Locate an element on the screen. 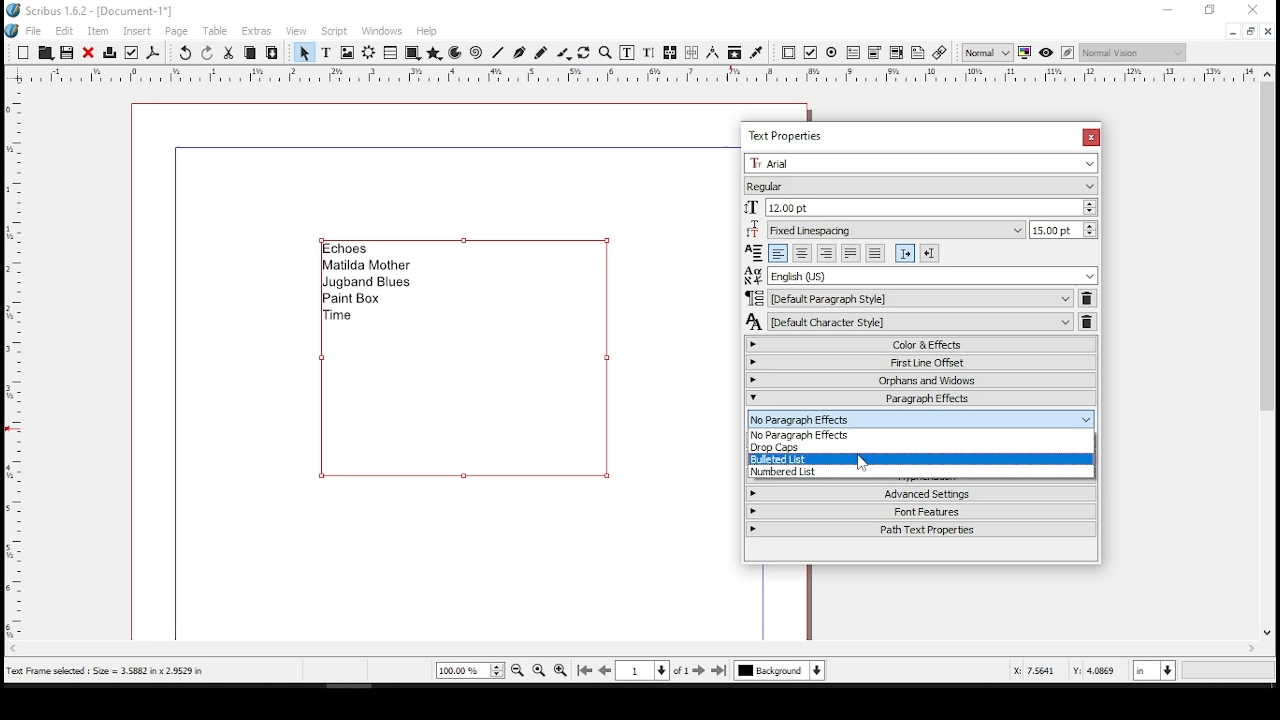 The width and height of the screenshot is (1280, 720). select item is located at coordinates (304, 52).